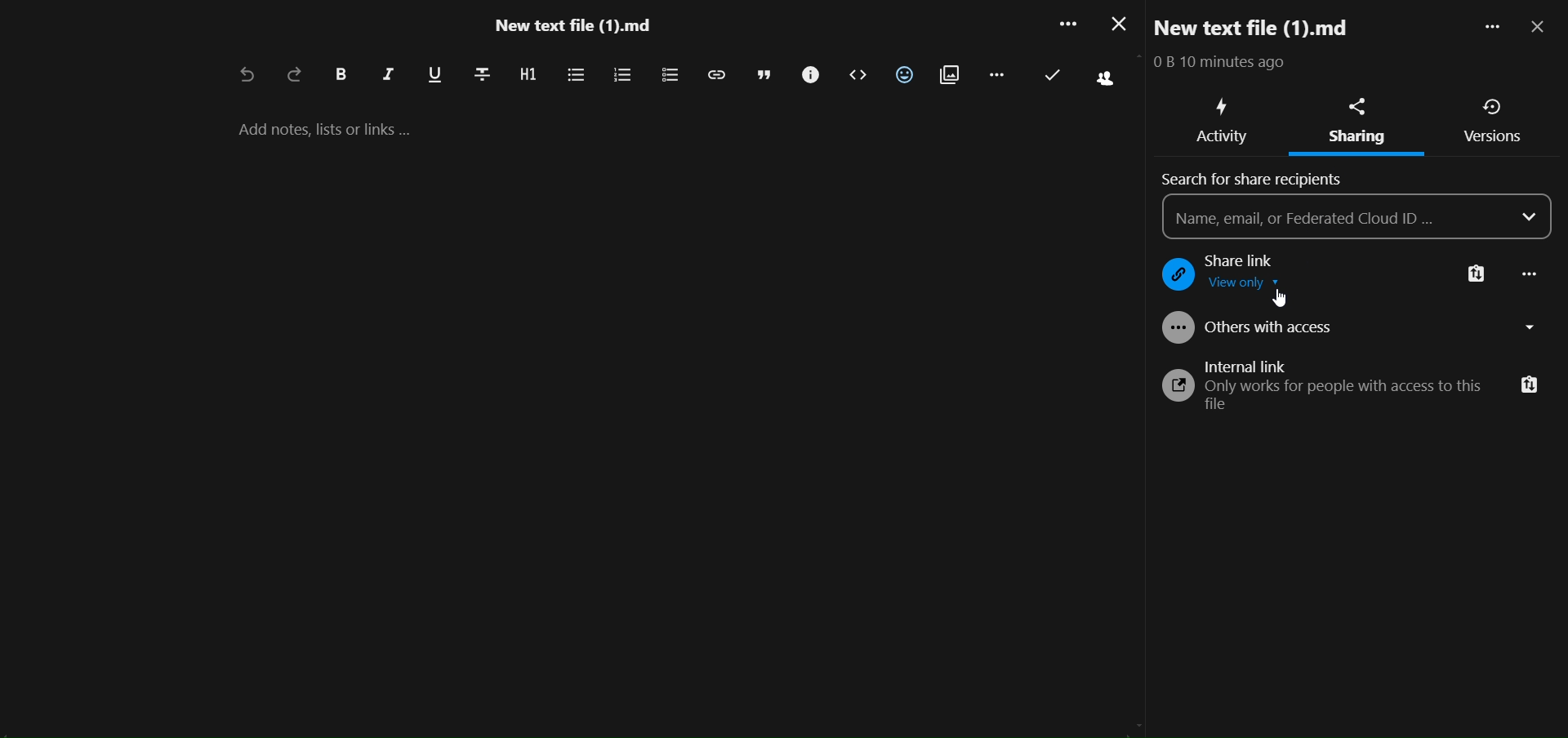 The width and height of the screenshot is (1568, 738). Describe the element at coordinates (1476, 276) in the screenshot. I see `copy link` at that location.